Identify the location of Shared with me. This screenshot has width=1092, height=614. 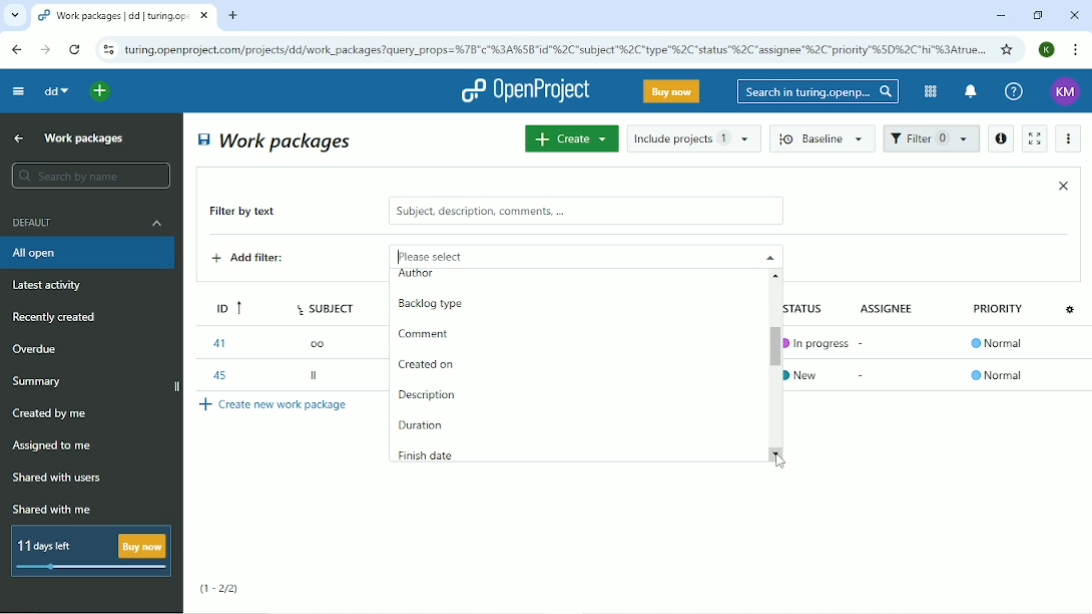
(54, 509).